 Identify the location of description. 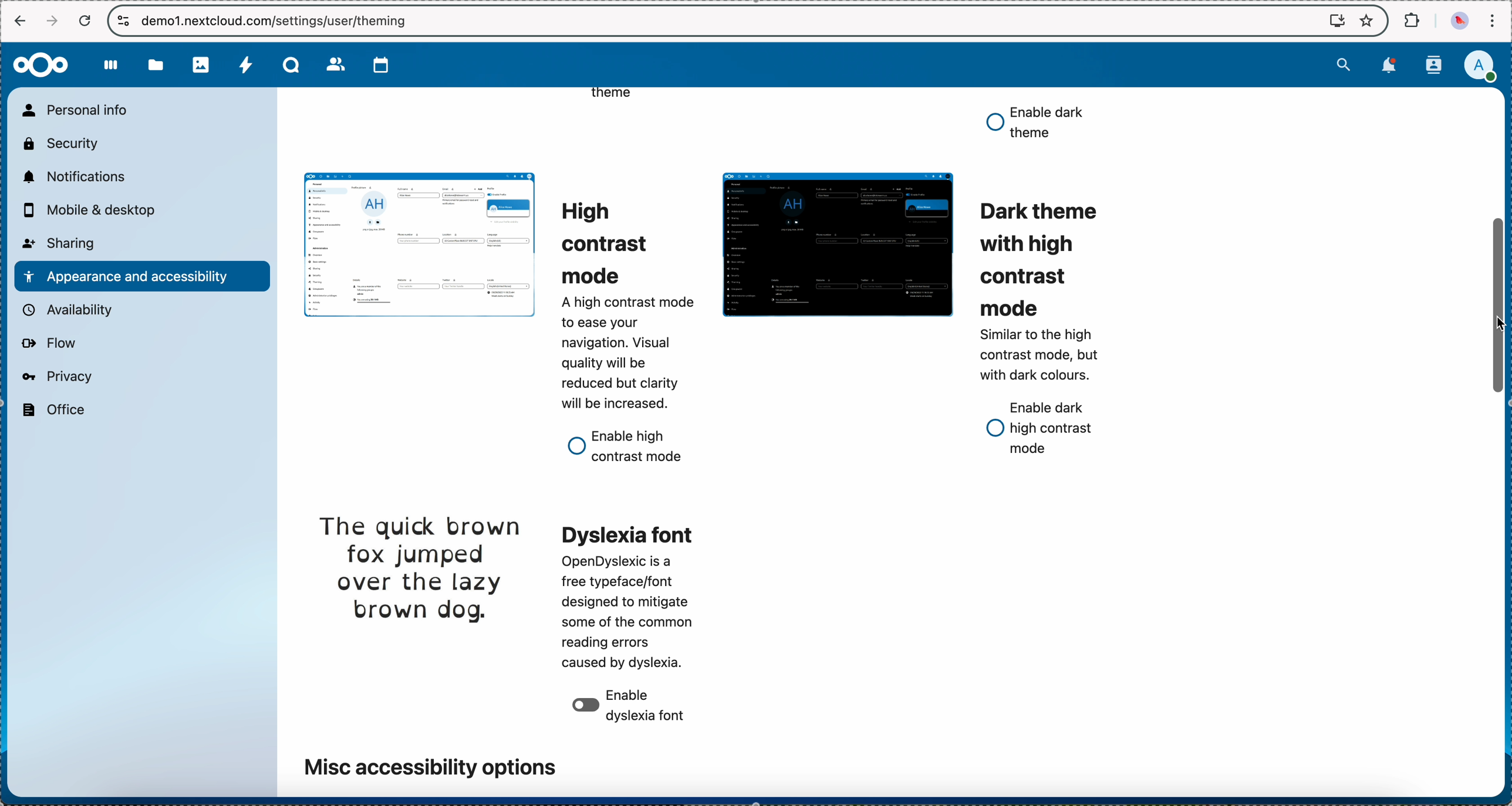
(1042, 353).